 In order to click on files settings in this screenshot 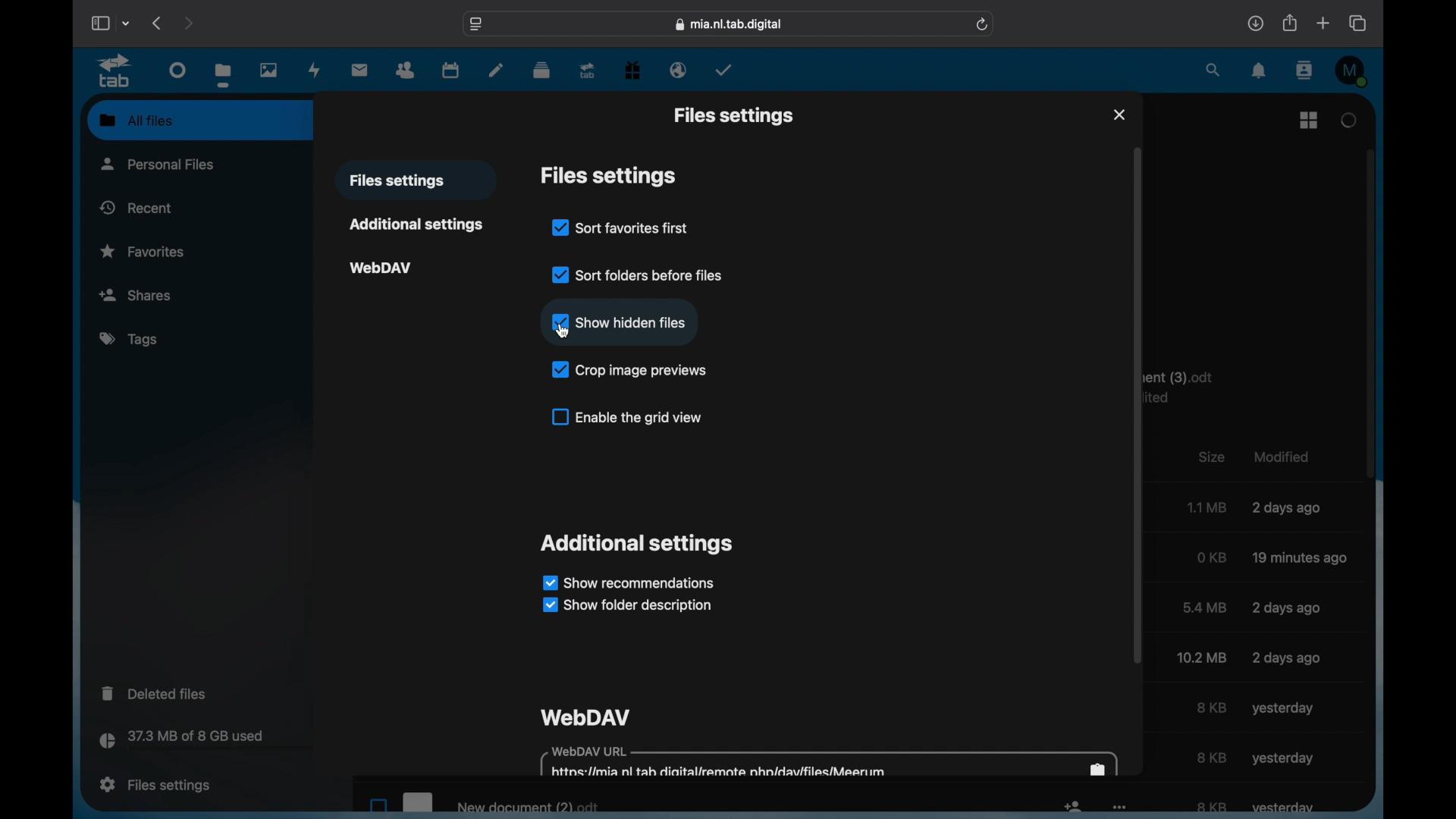, I will do `click(733, 117)`.